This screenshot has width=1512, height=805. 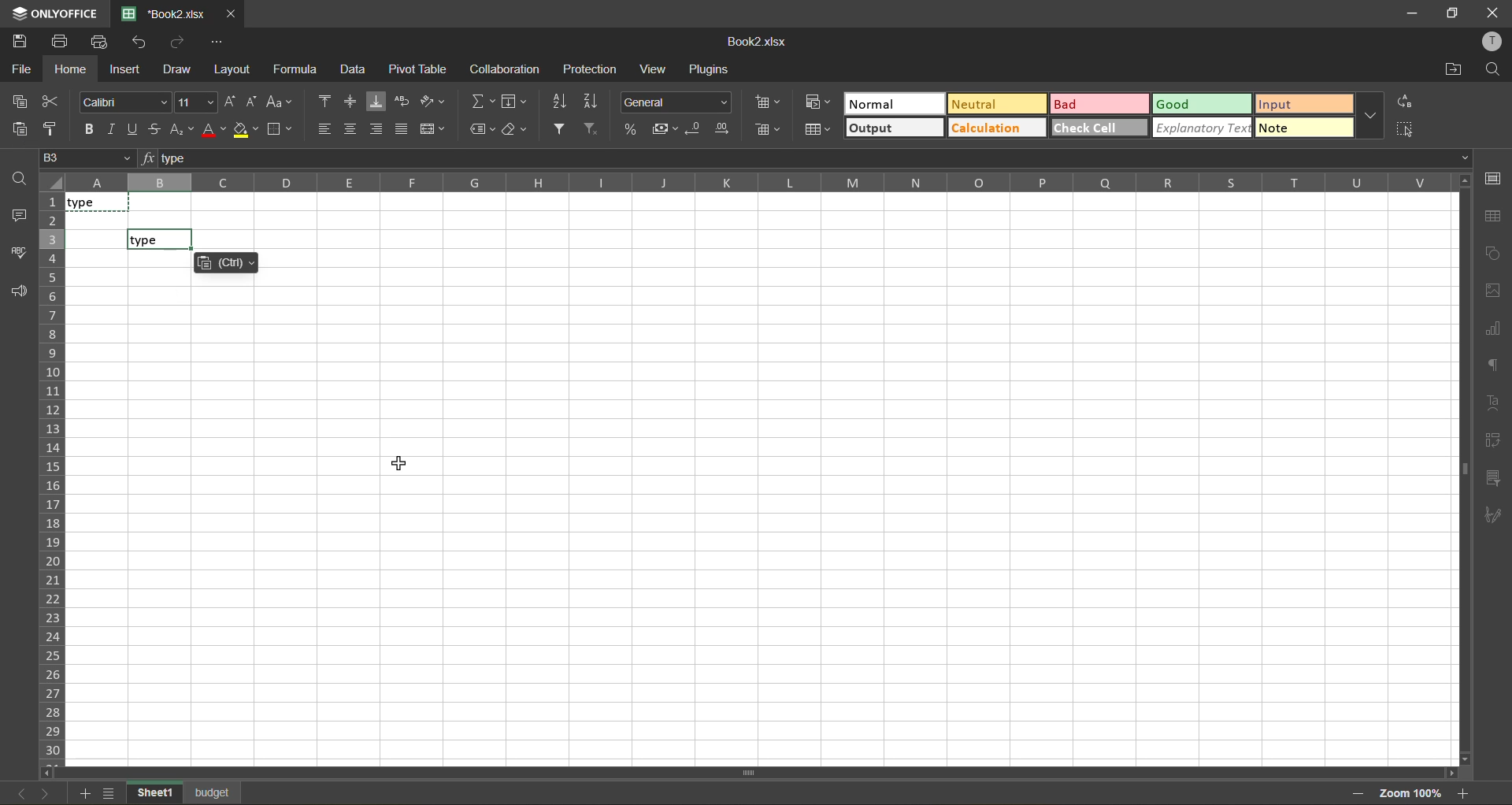 What do you see at coordinates (515, 129) in the screenshot?
I see `clear` at bounding box center [515, 129].